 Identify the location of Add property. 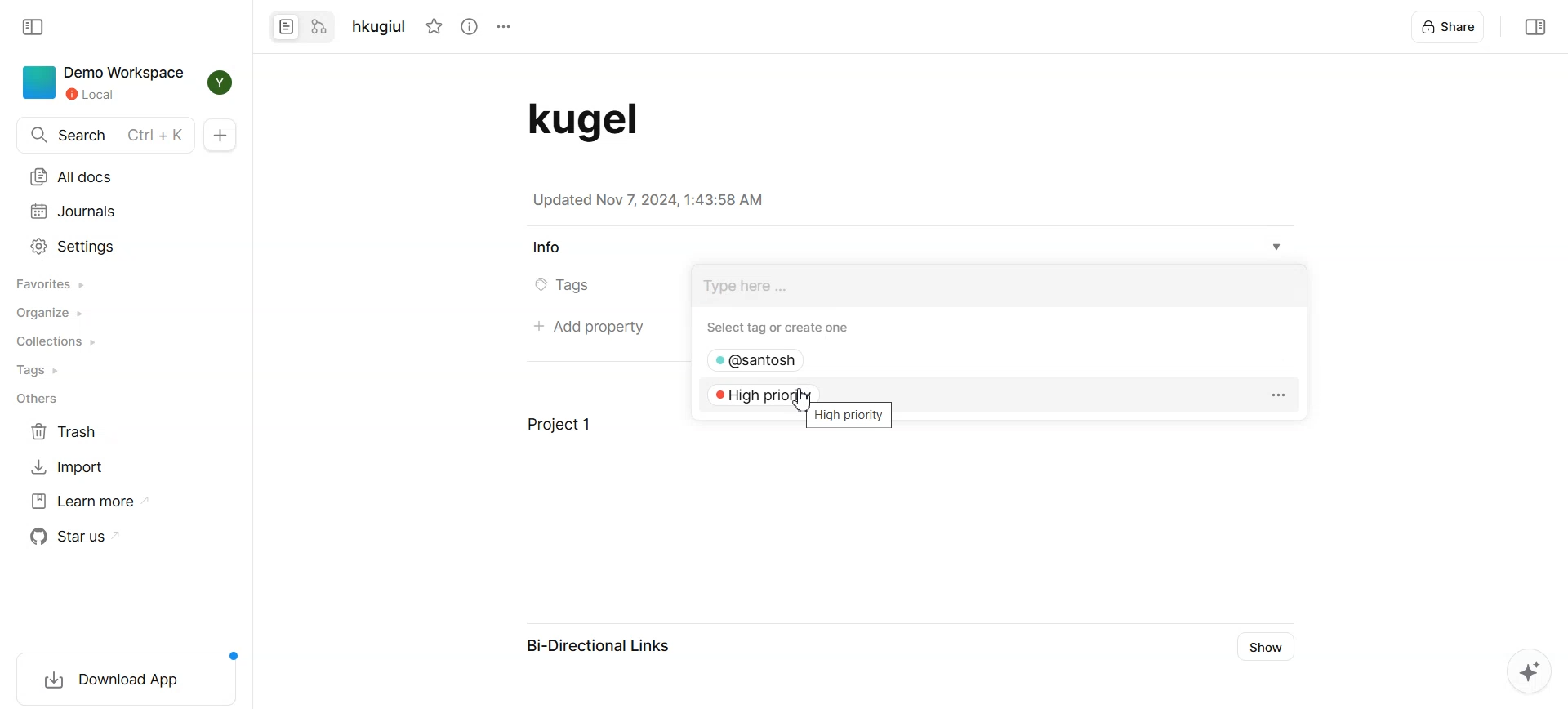
(590, 326).